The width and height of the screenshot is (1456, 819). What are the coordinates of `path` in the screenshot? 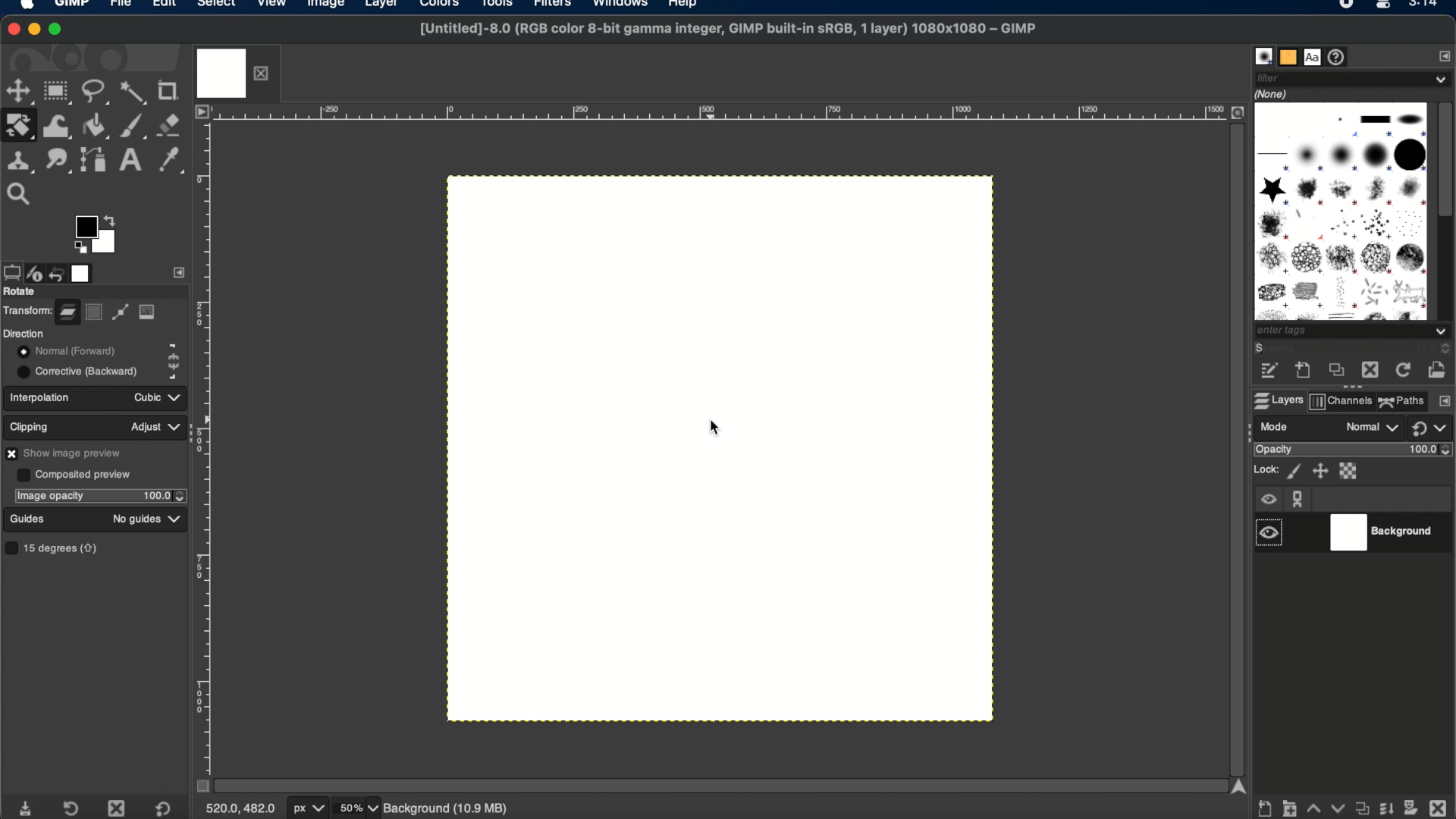 It's located at (120, 314).